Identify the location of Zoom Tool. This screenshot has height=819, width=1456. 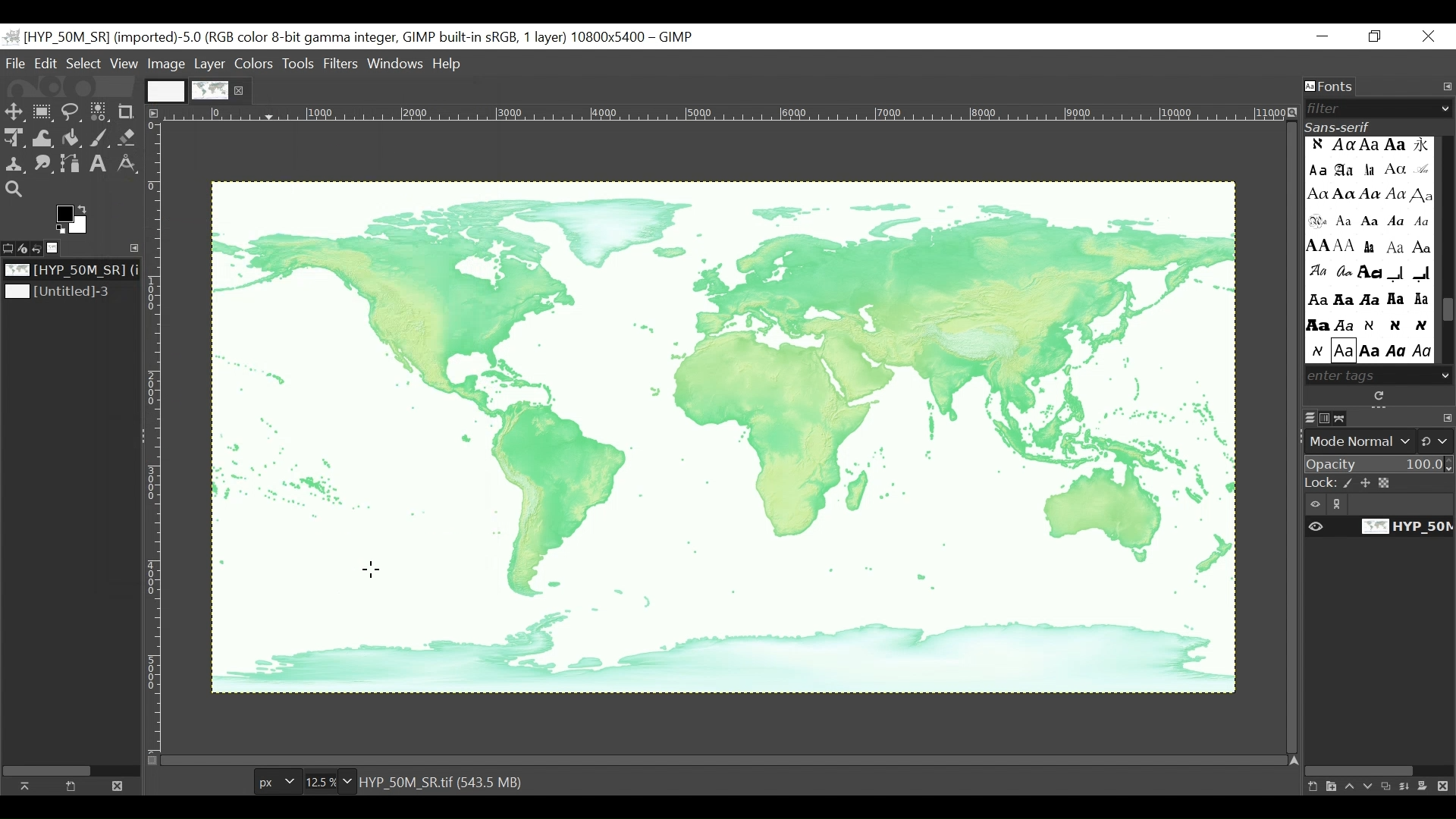
(15, 190).